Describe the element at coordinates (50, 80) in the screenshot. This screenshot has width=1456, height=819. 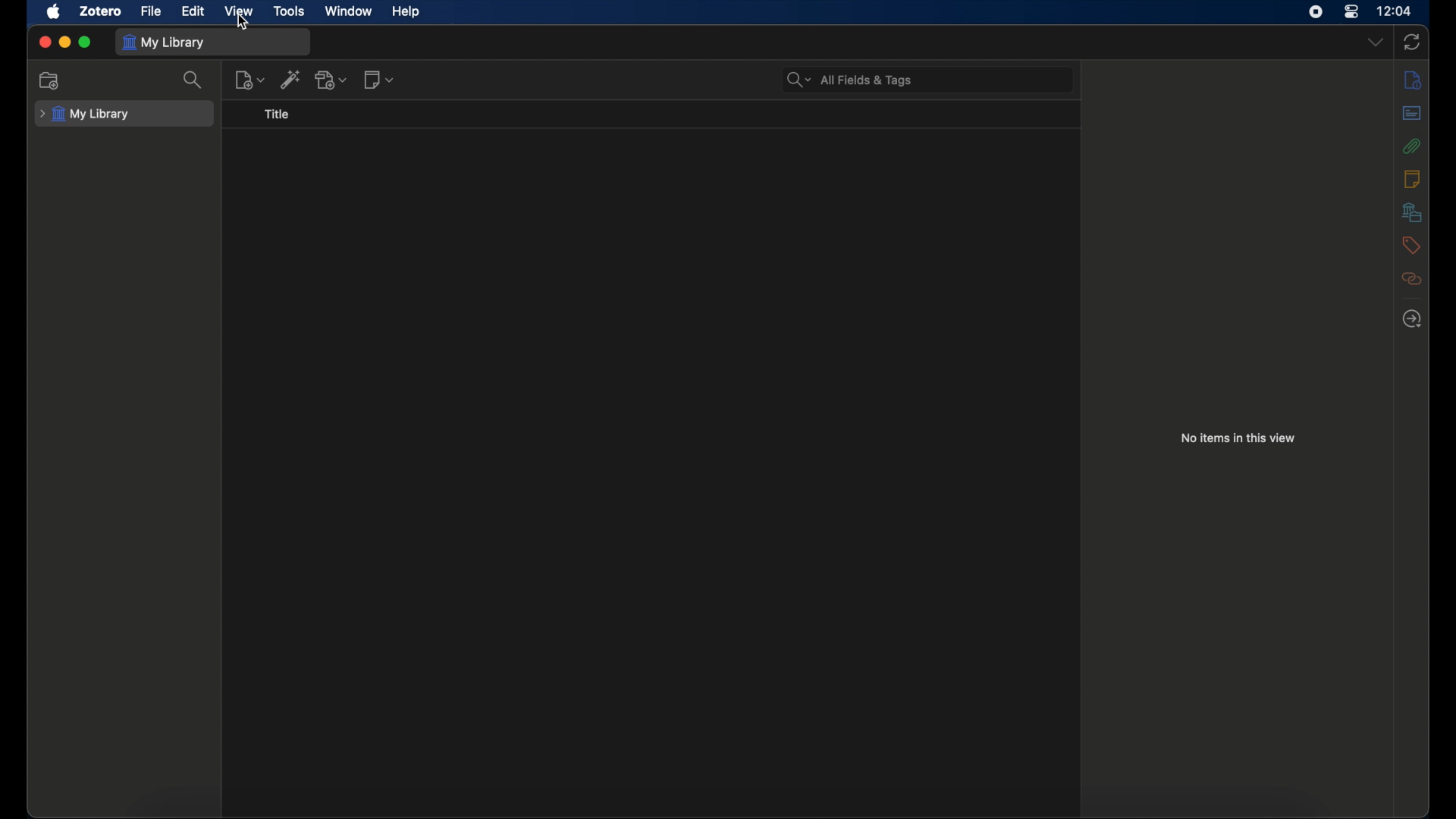
I see `new collection` at that location.